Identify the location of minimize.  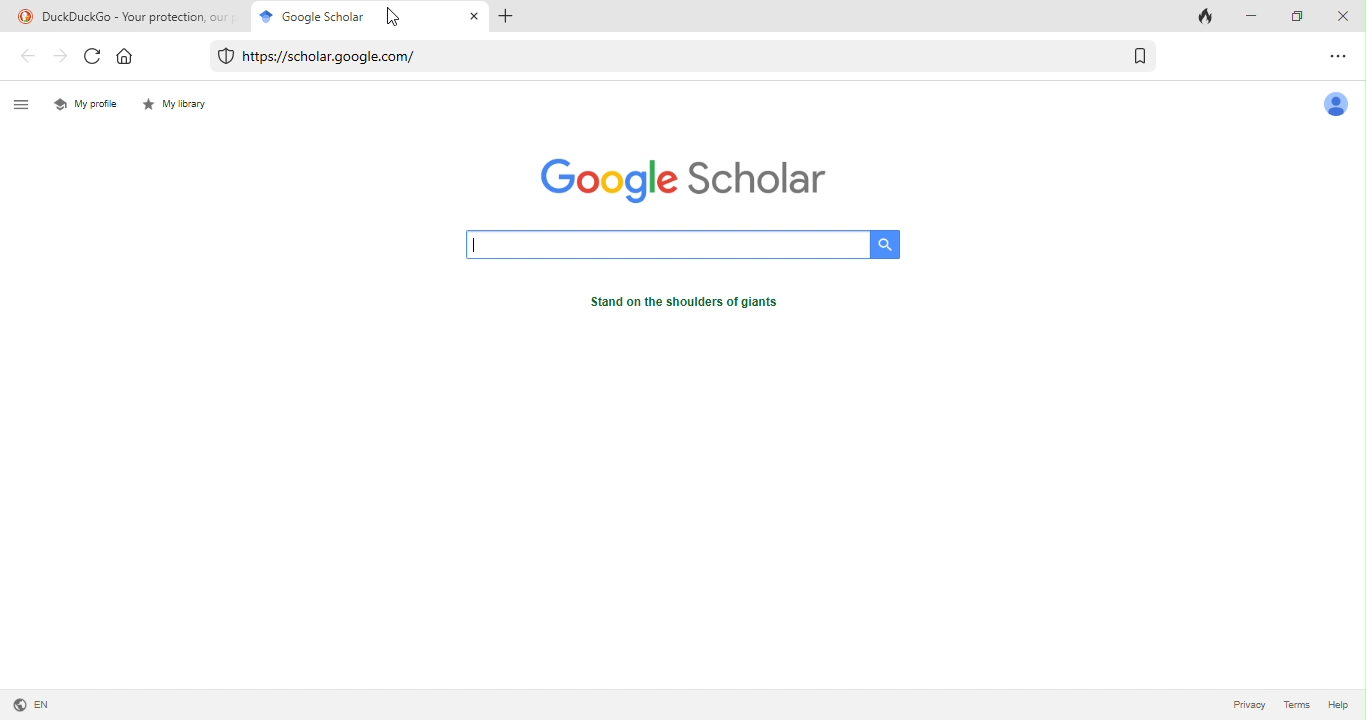
(1253, 15).